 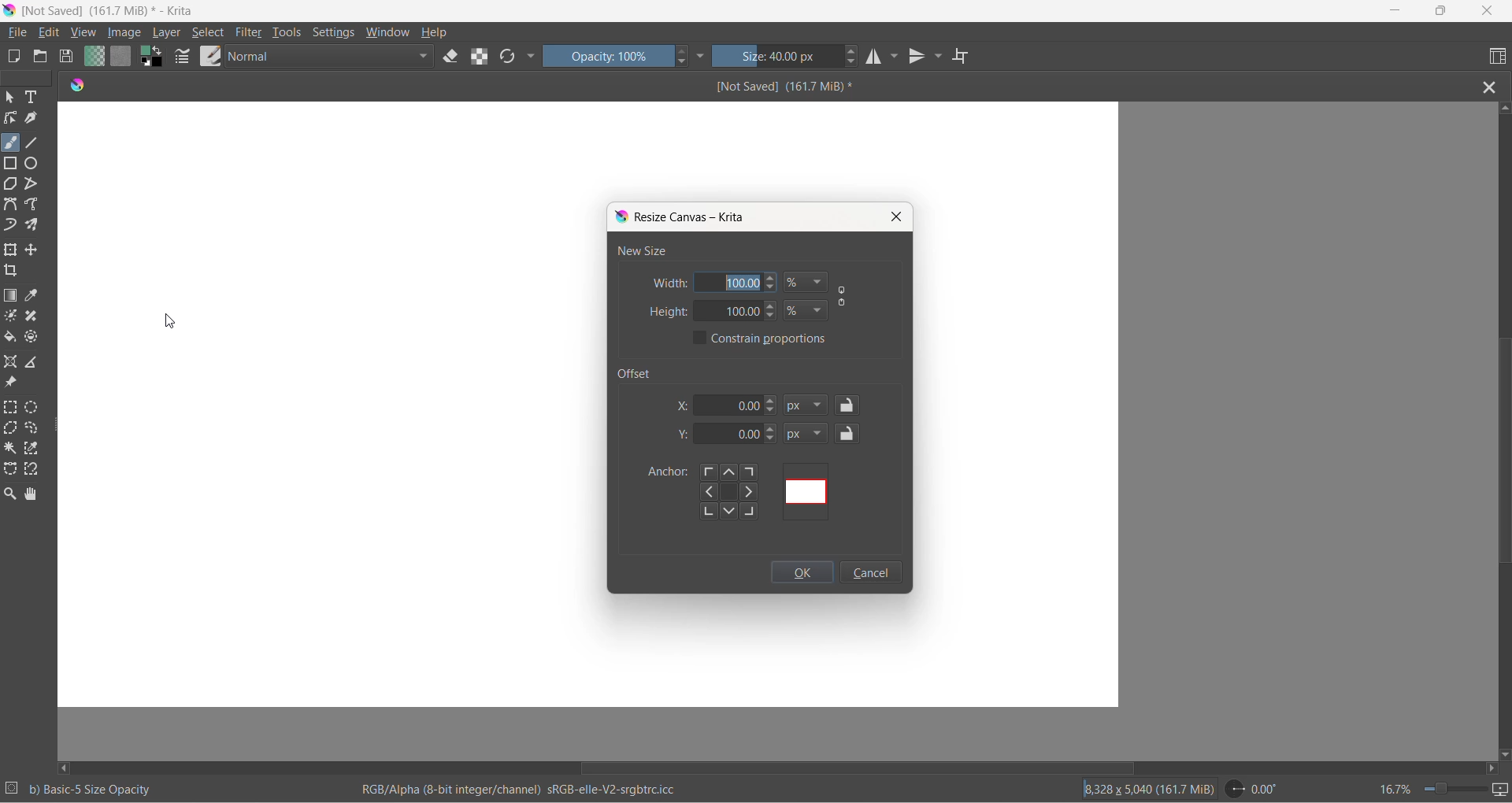 What do you see at coordinates (1488, 12) in the screenshot?
I see `close` at bounding box center [1488, 12].